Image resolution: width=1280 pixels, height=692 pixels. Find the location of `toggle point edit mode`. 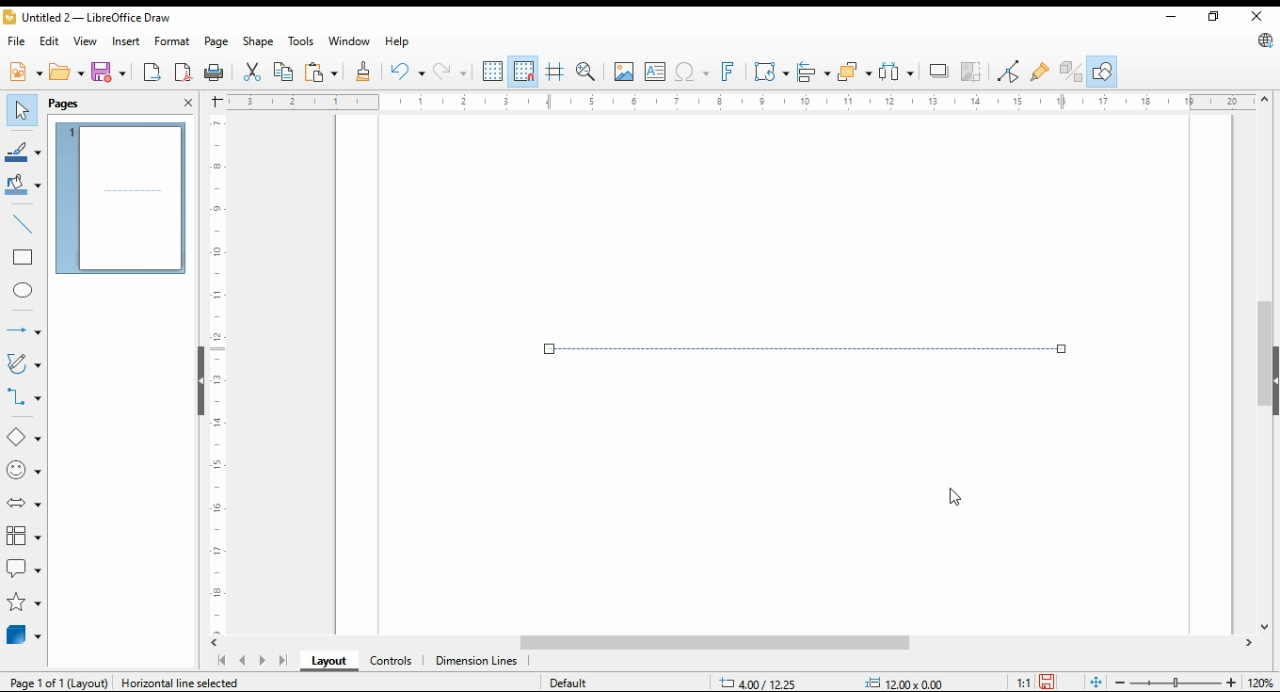

toggle point edit mode is located at coordinates (1009, 71).